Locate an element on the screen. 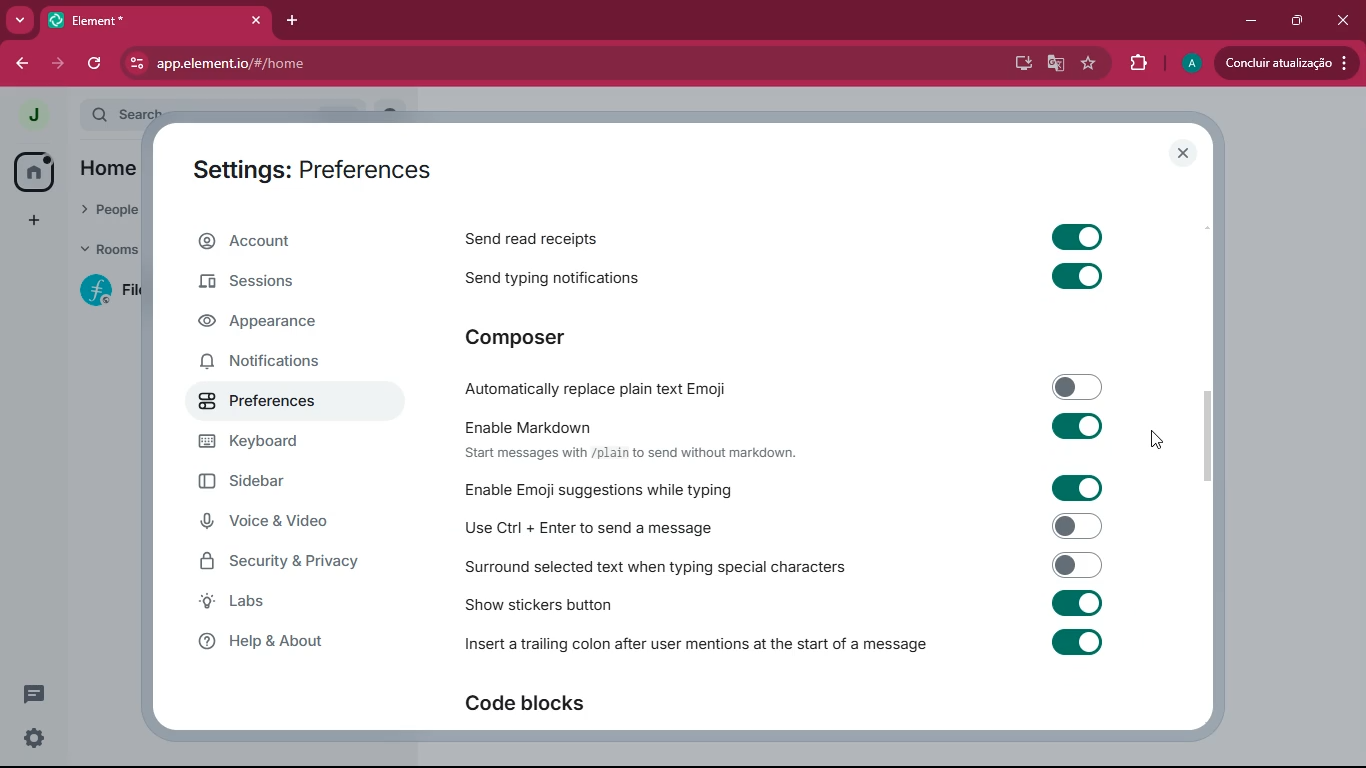 The width and height of the screenshot is (1366, 768). text is located at coordinates (629, 453).